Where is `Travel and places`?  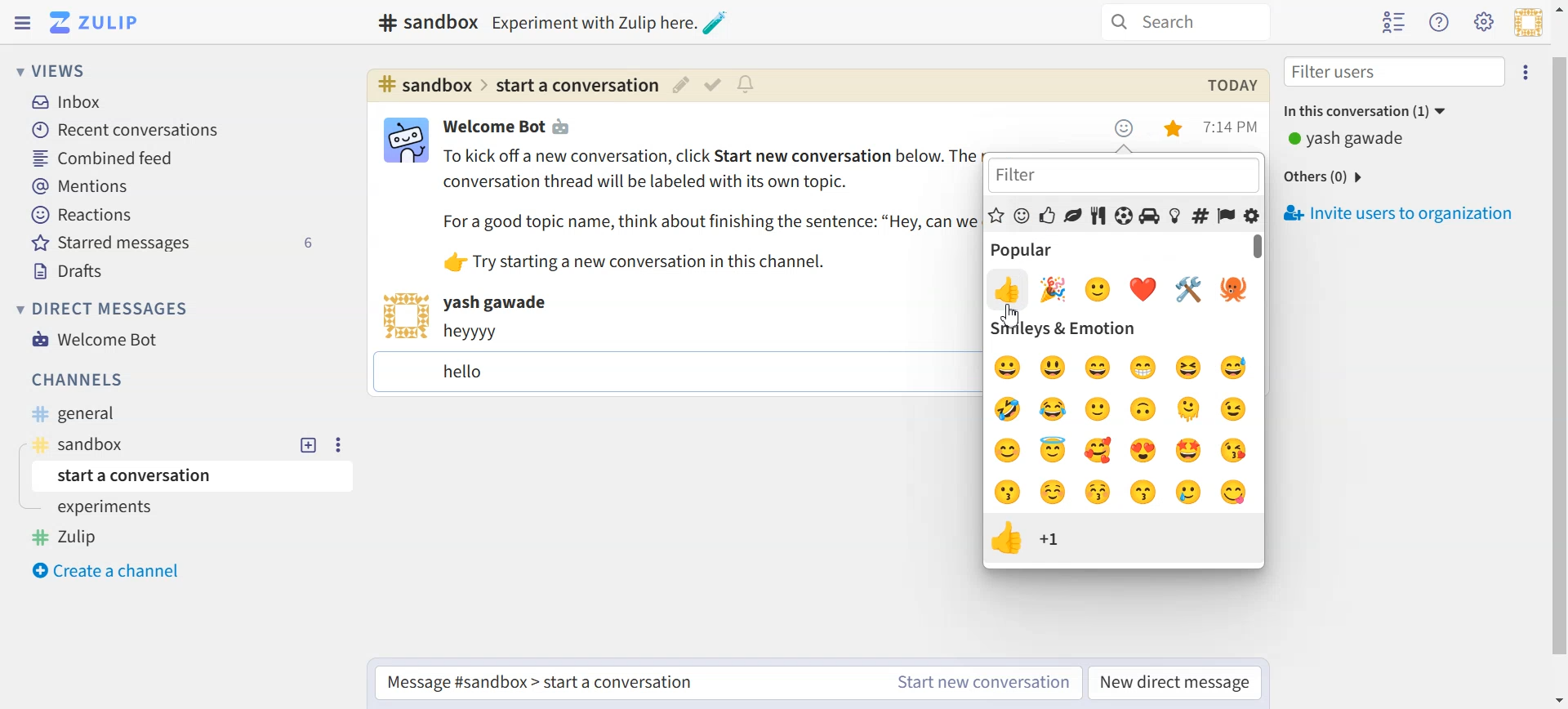 Travel and places is located at coordinates (1150, 216).